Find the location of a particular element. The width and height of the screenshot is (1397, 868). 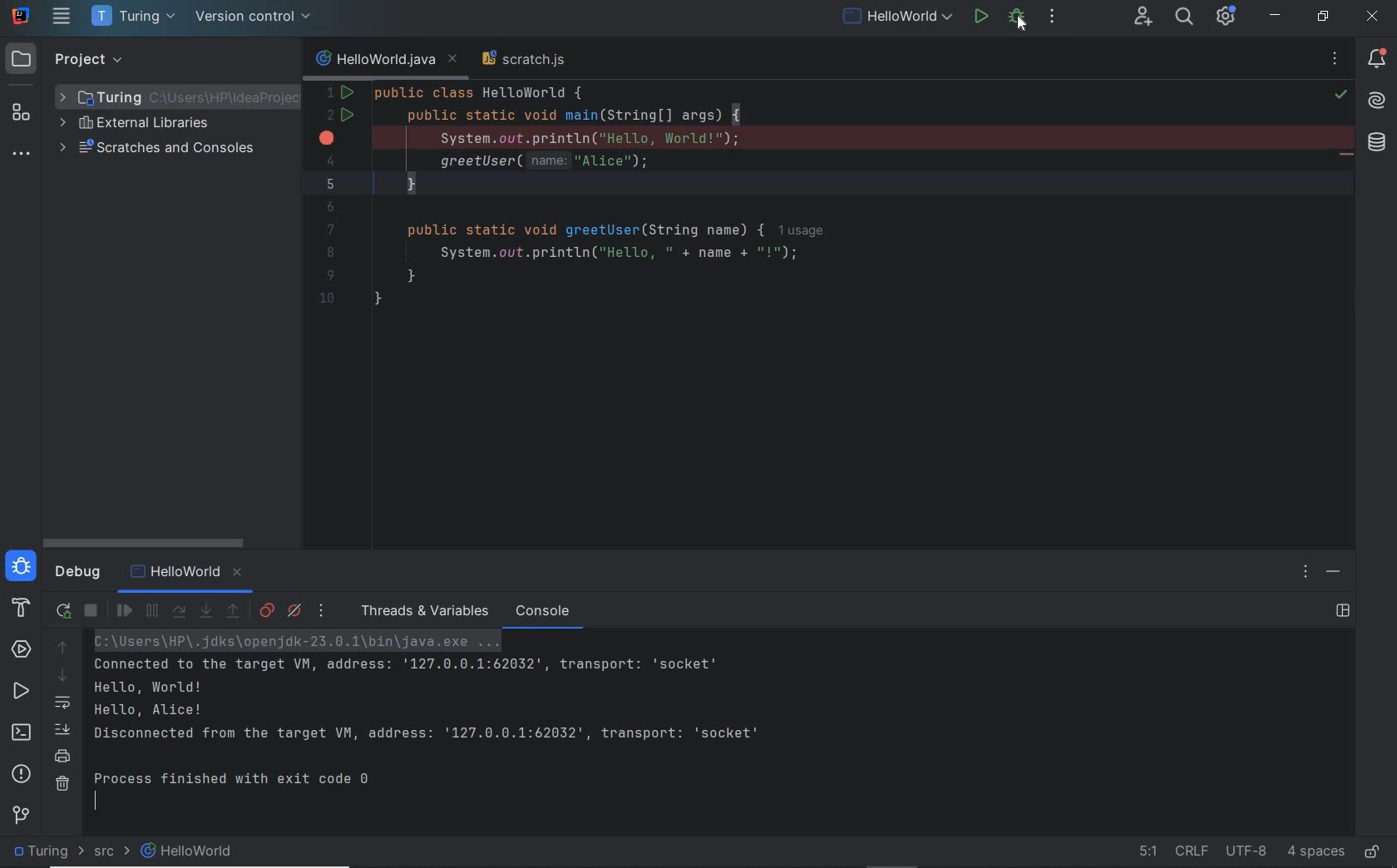

print is located at coordinates (62, 756).